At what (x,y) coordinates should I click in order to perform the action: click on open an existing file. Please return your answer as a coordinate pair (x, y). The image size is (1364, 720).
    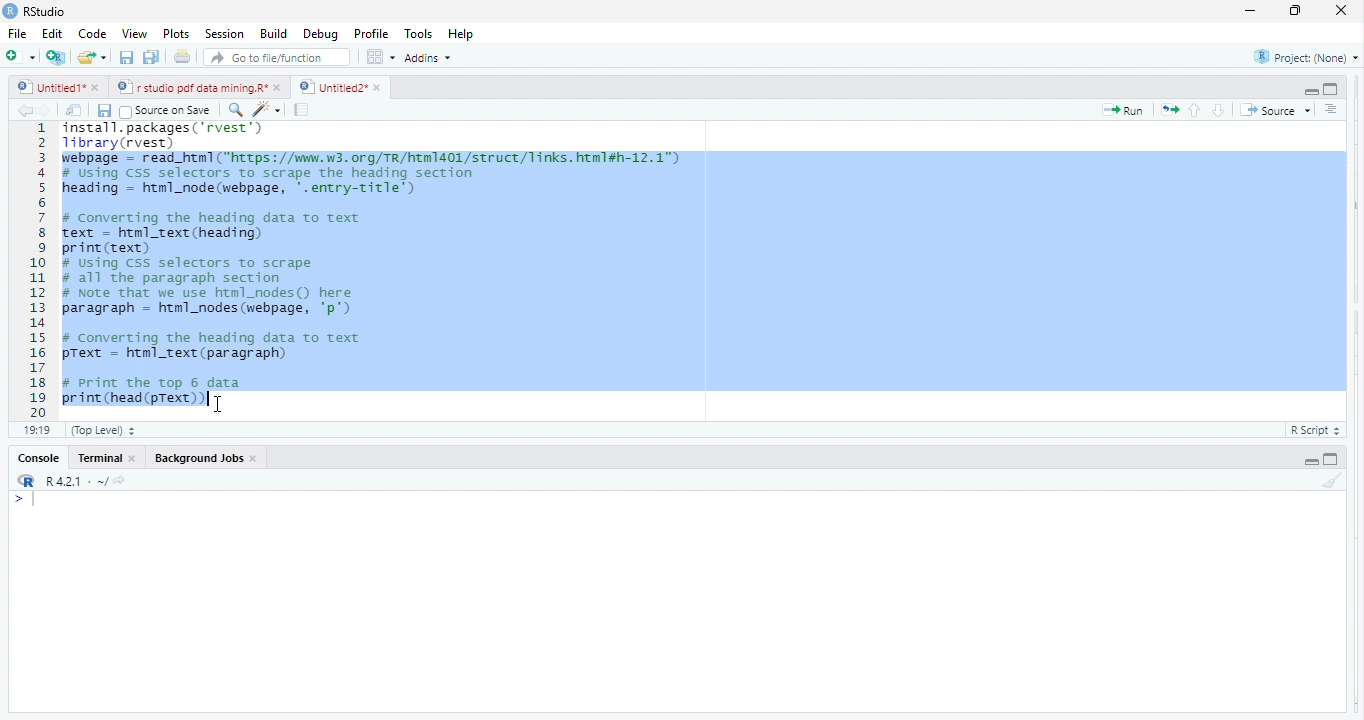
    Looking at the image, I should click on (93, 56).